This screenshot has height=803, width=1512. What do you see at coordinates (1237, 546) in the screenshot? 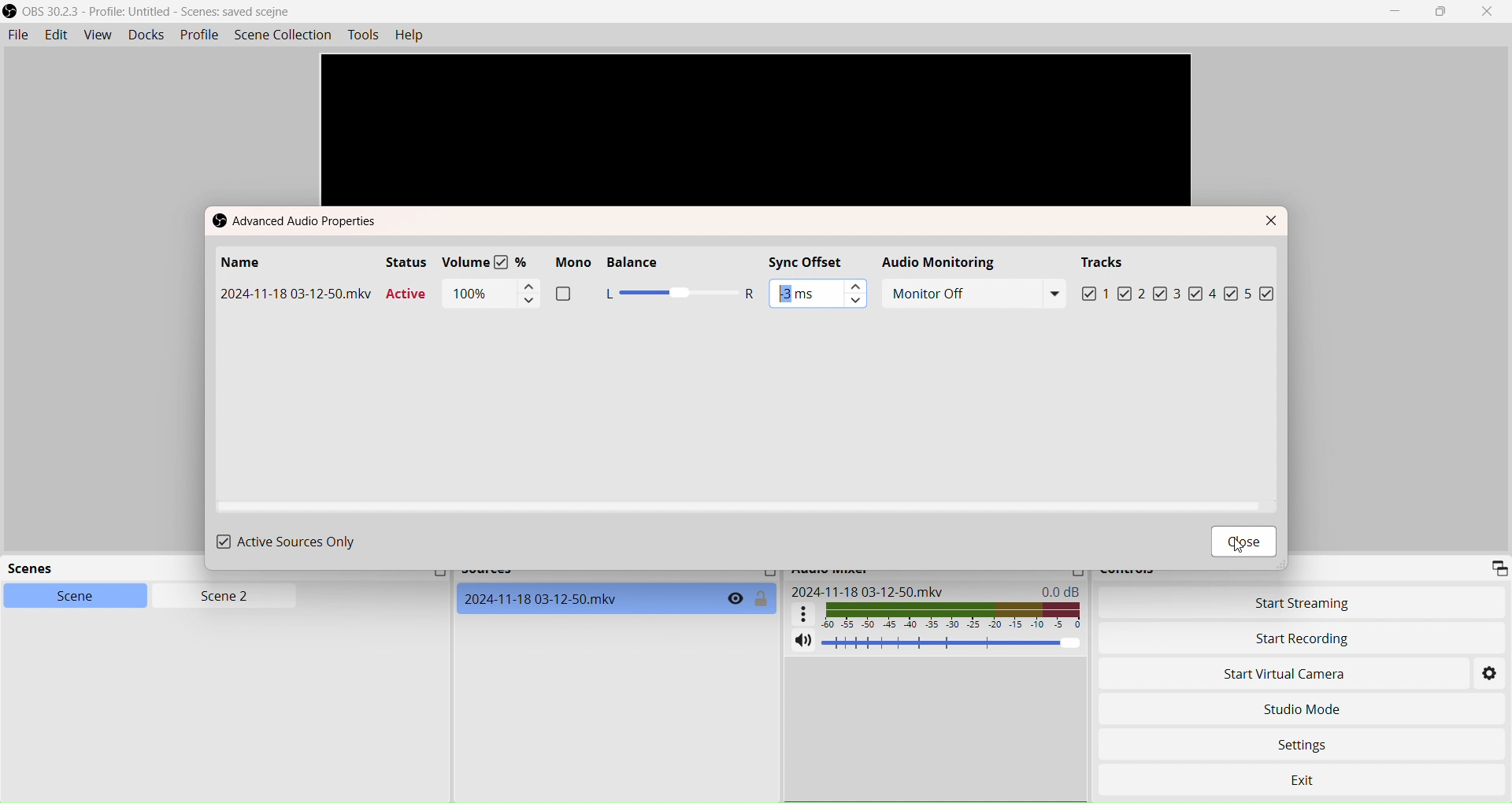
I see `Cursor` at bounding box center [1237, 546].